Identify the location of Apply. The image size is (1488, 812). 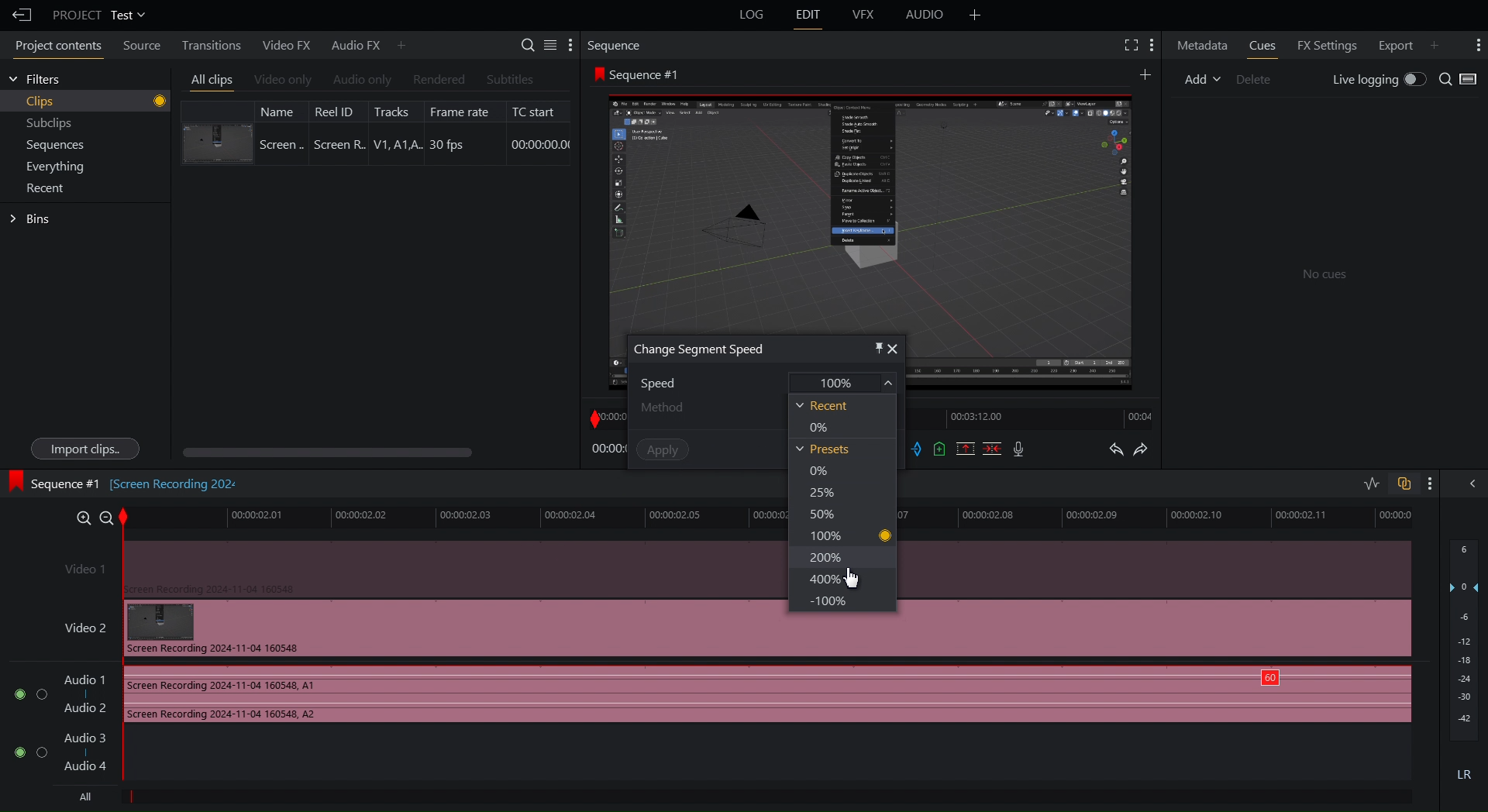
(663, 449).